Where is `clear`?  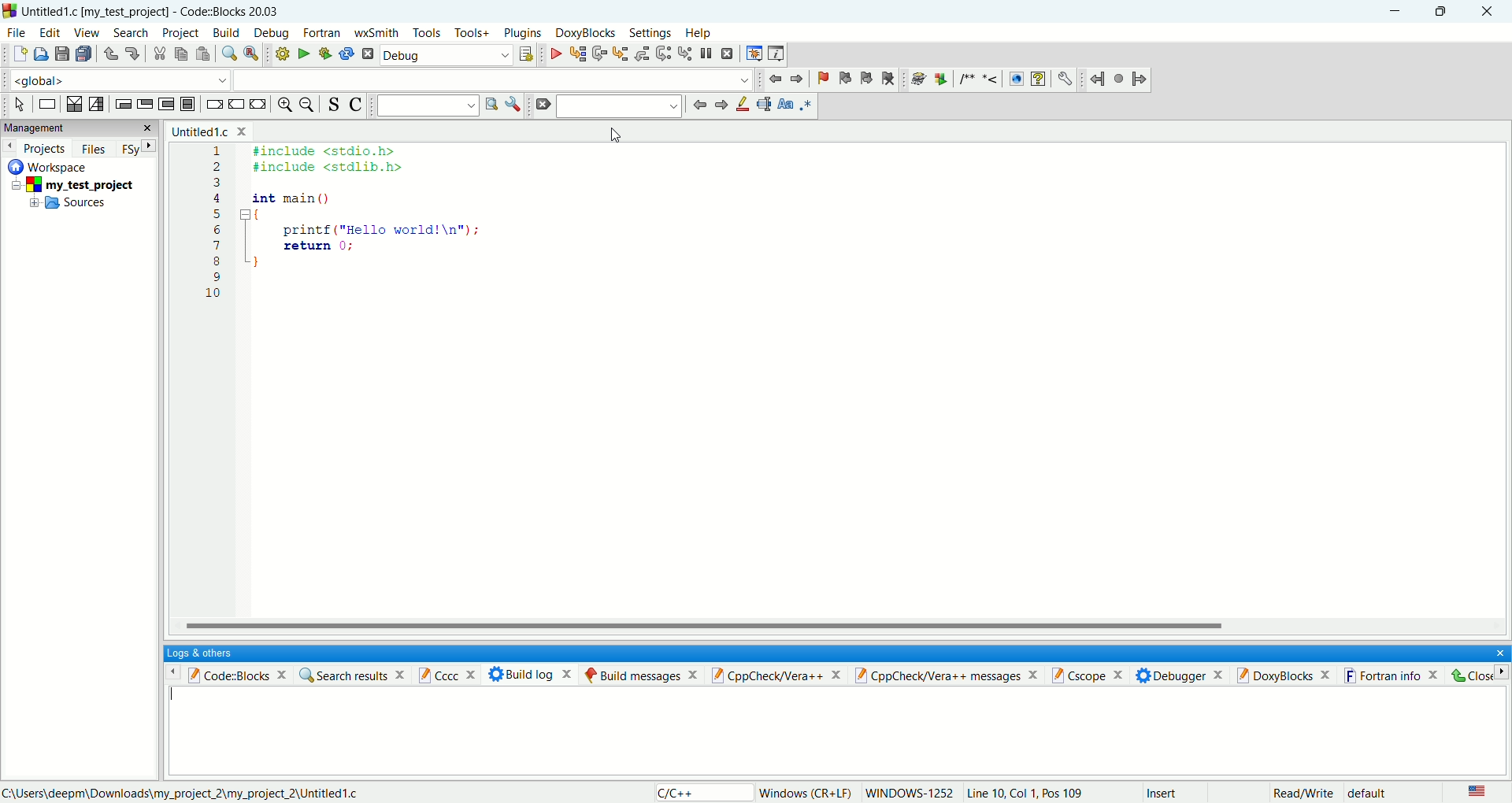
clear is located at coordinates (542, 105).